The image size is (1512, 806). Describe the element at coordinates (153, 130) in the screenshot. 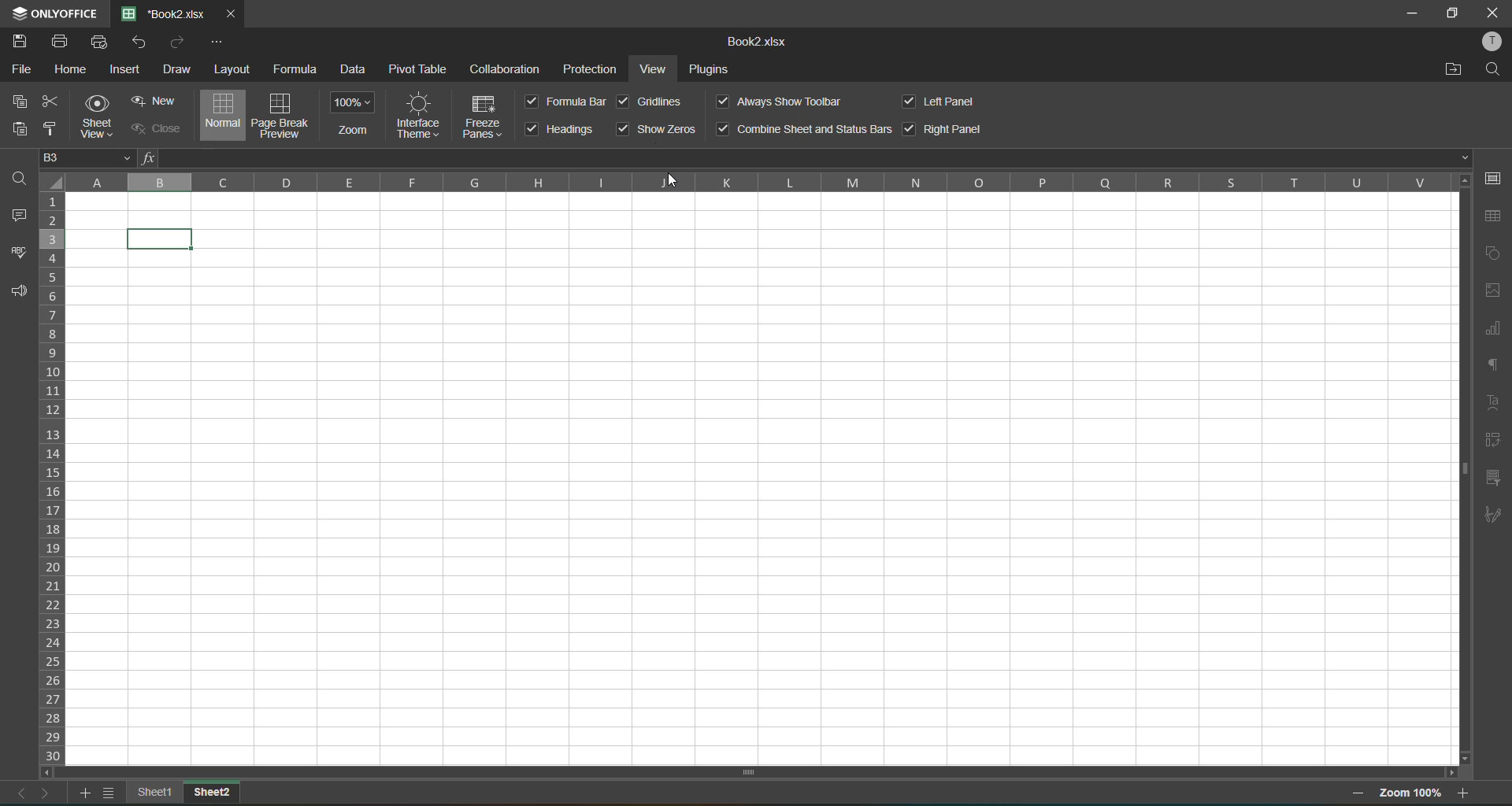

I see `close` at that location.